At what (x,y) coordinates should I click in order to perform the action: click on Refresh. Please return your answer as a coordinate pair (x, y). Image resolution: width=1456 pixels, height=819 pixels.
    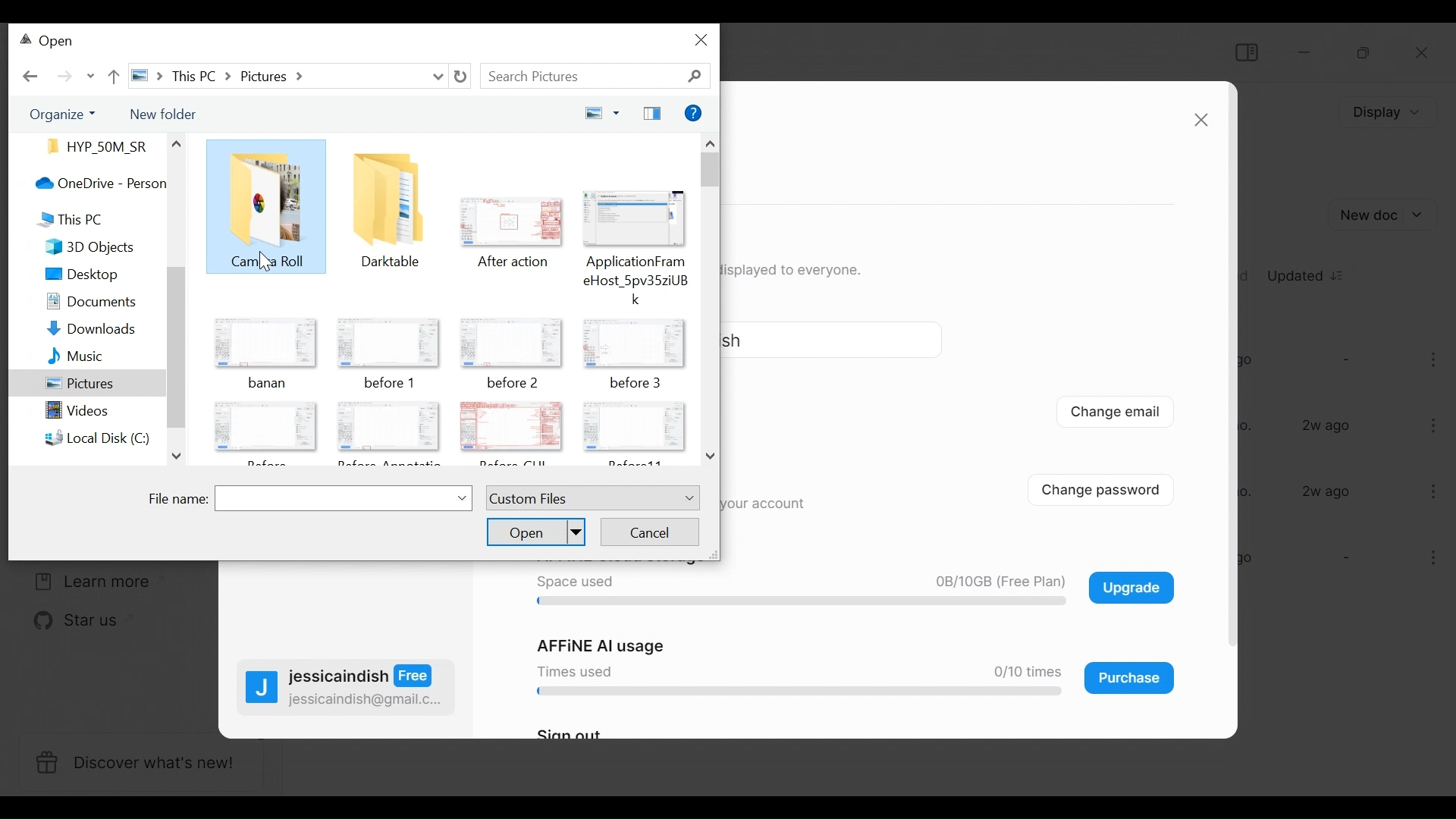
    Looking at the image, I should click on (460, 77).